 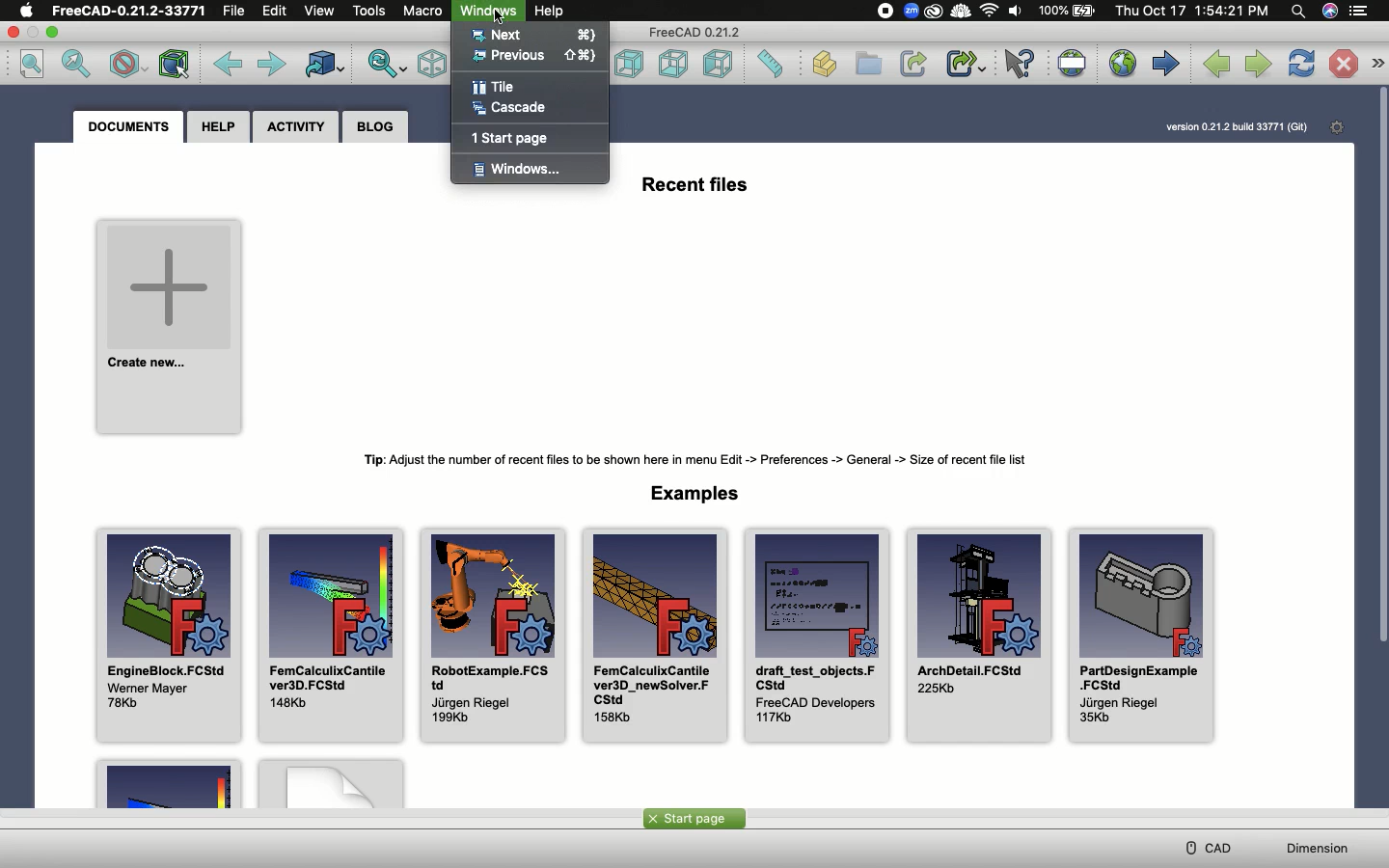 What do you see at coordinates (217, 127) in the screenshot?
I see `Help` at bounding box center [217, 127].